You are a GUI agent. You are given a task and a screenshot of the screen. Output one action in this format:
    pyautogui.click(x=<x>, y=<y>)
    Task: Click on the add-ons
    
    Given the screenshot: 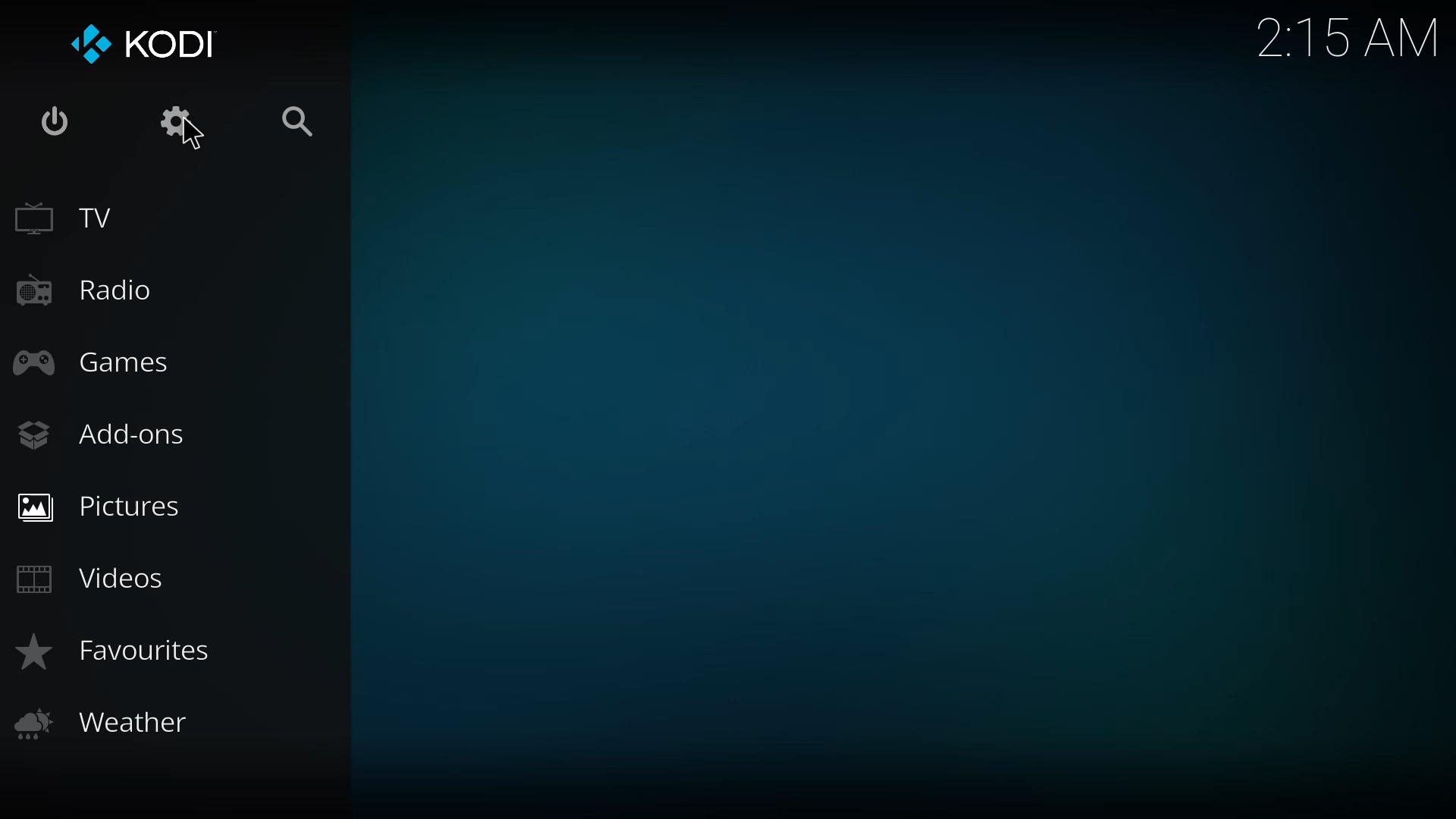 What is the action you would take?
    pyautogui.click(x=102, y=435)
    